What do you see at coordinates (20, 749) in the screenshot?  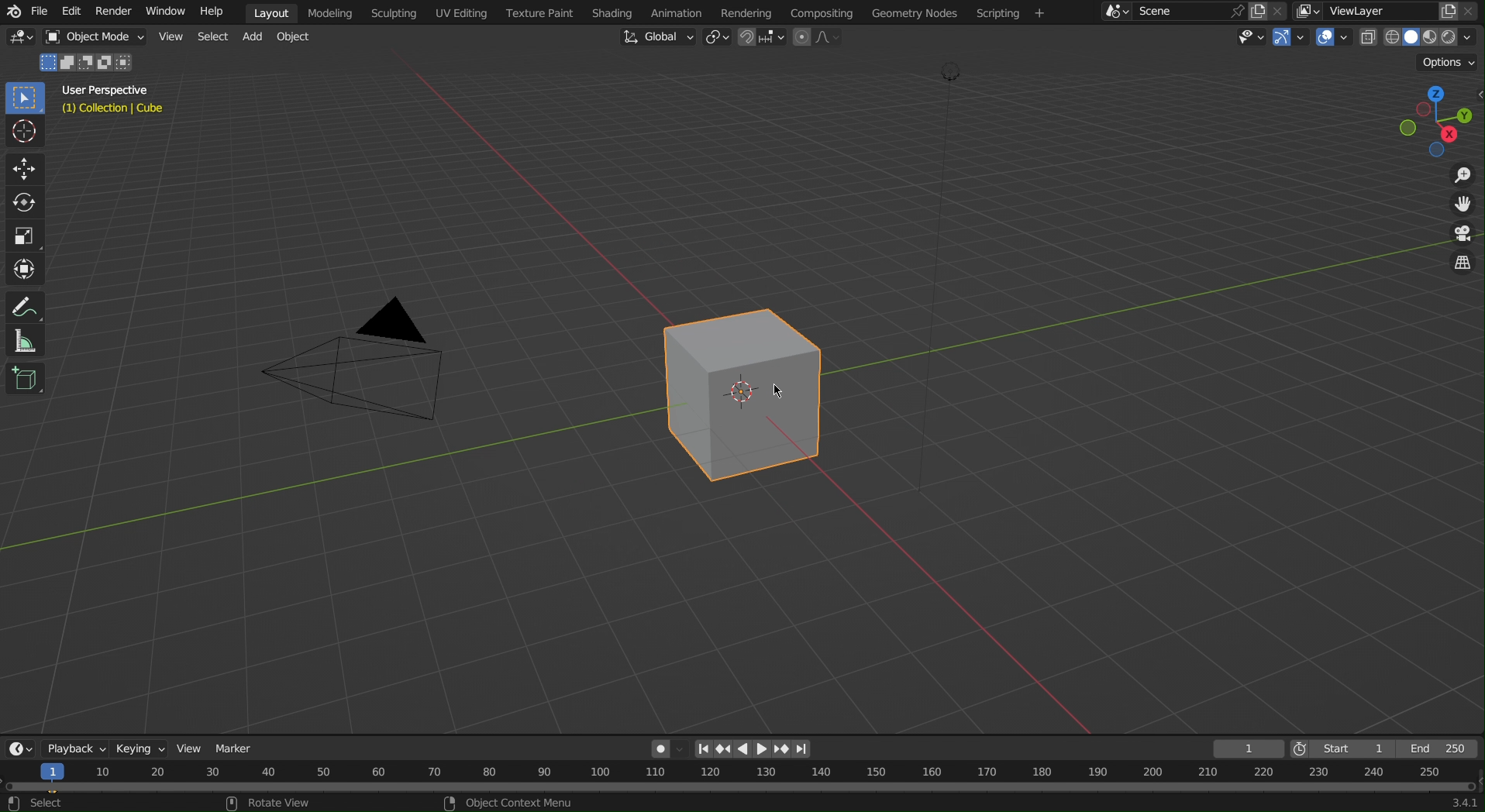 I see `Editor Type` at bounding box center [20, 749].